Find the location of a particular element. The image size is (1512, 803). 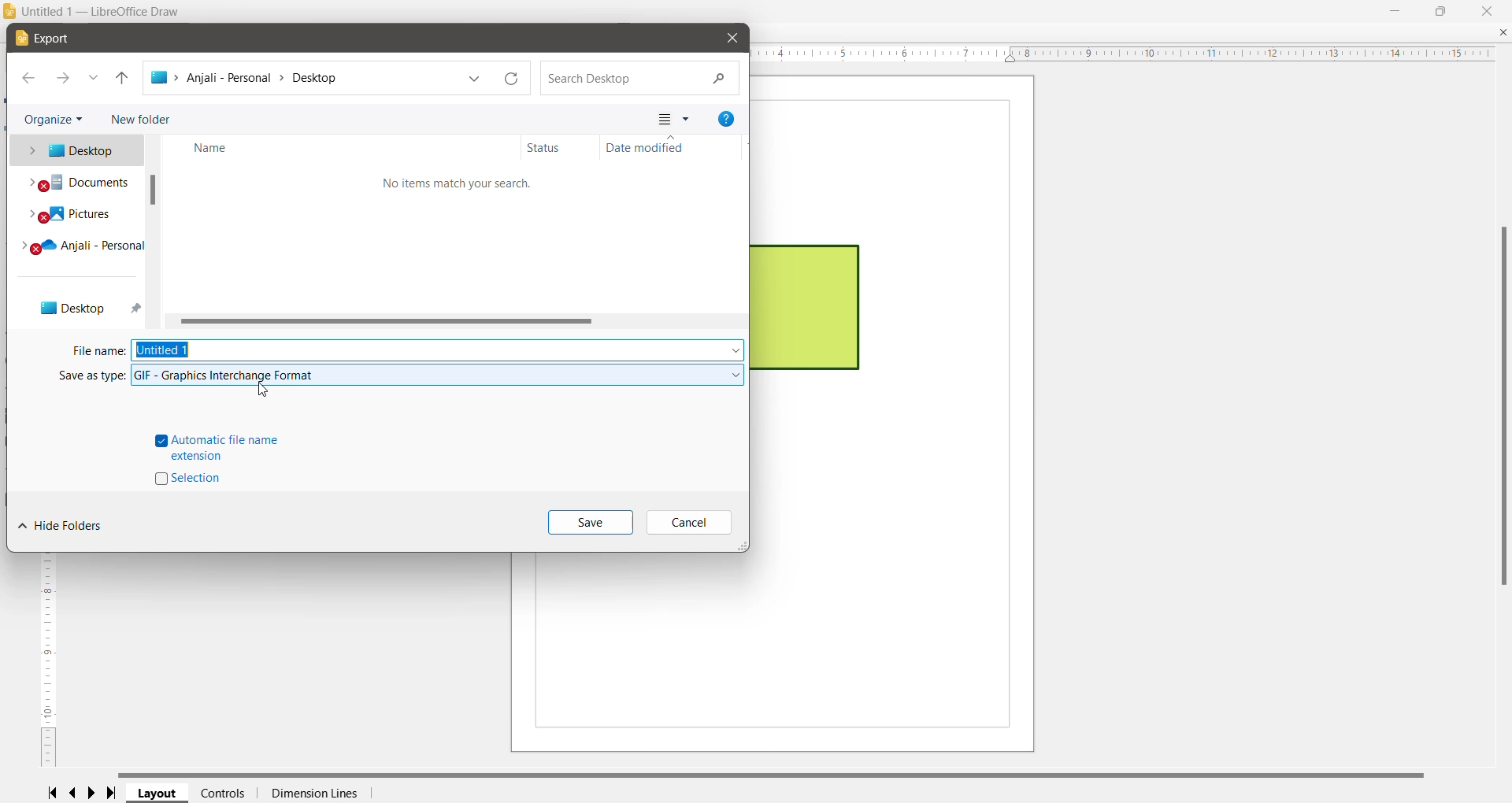

Scroll to next page is located at coordinates (95, 793).